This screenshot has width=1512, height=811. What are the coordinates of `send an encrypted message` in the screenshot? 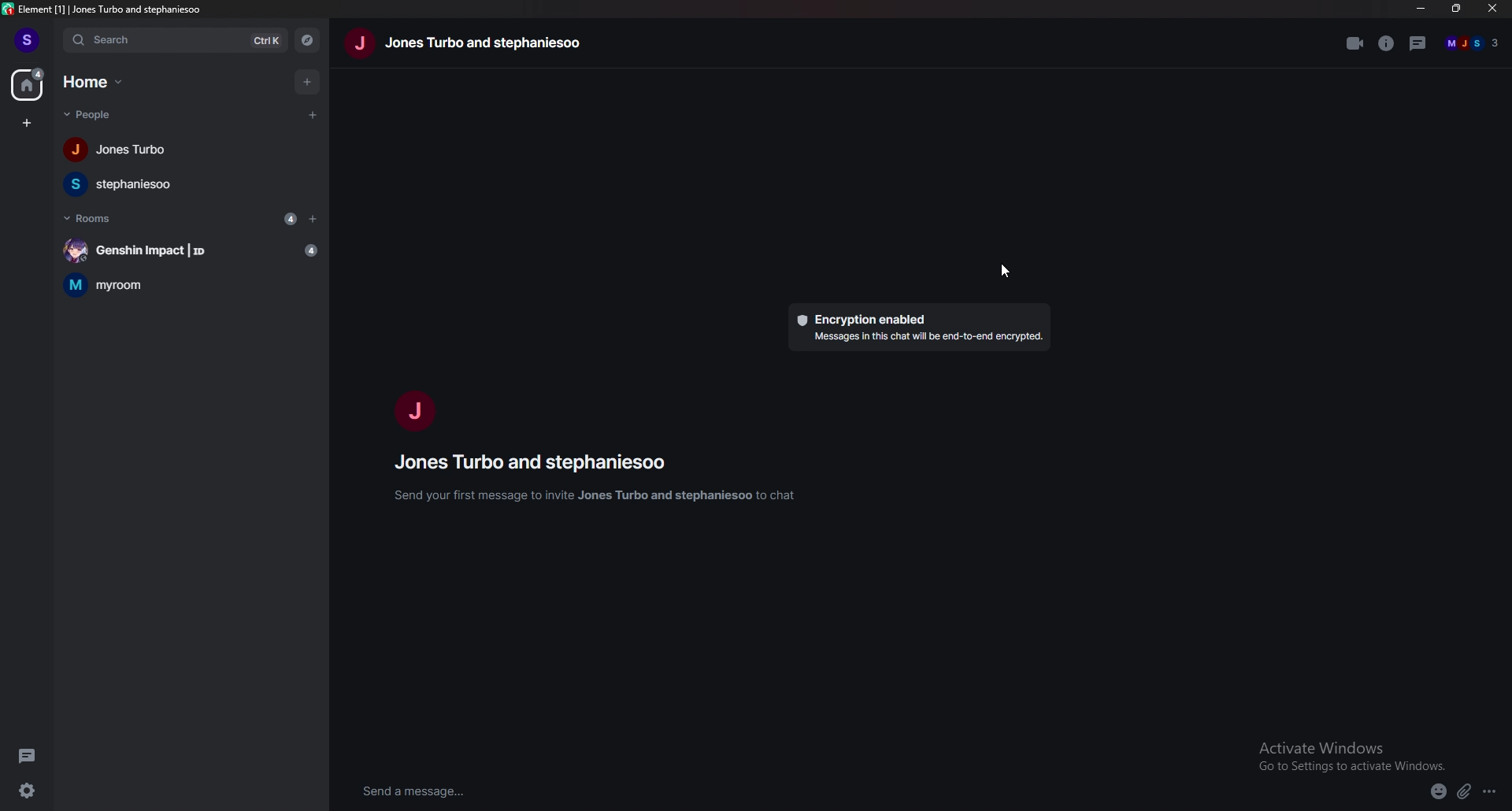 It's located at (451, 791).